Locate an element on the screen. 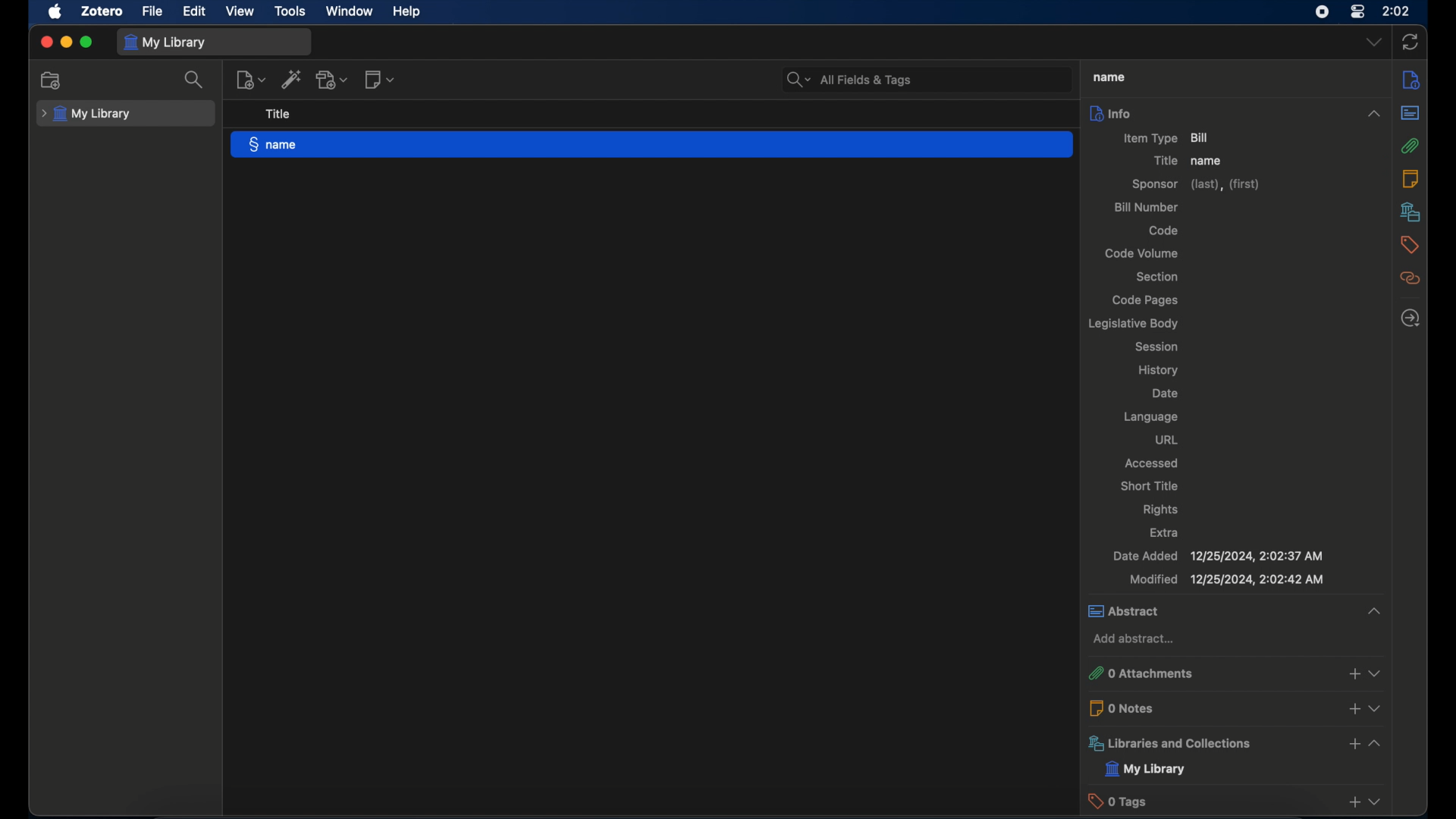 Image resolution: width=1456 pixels, height=819 pixels. section is located at coordinates (1156, 278).